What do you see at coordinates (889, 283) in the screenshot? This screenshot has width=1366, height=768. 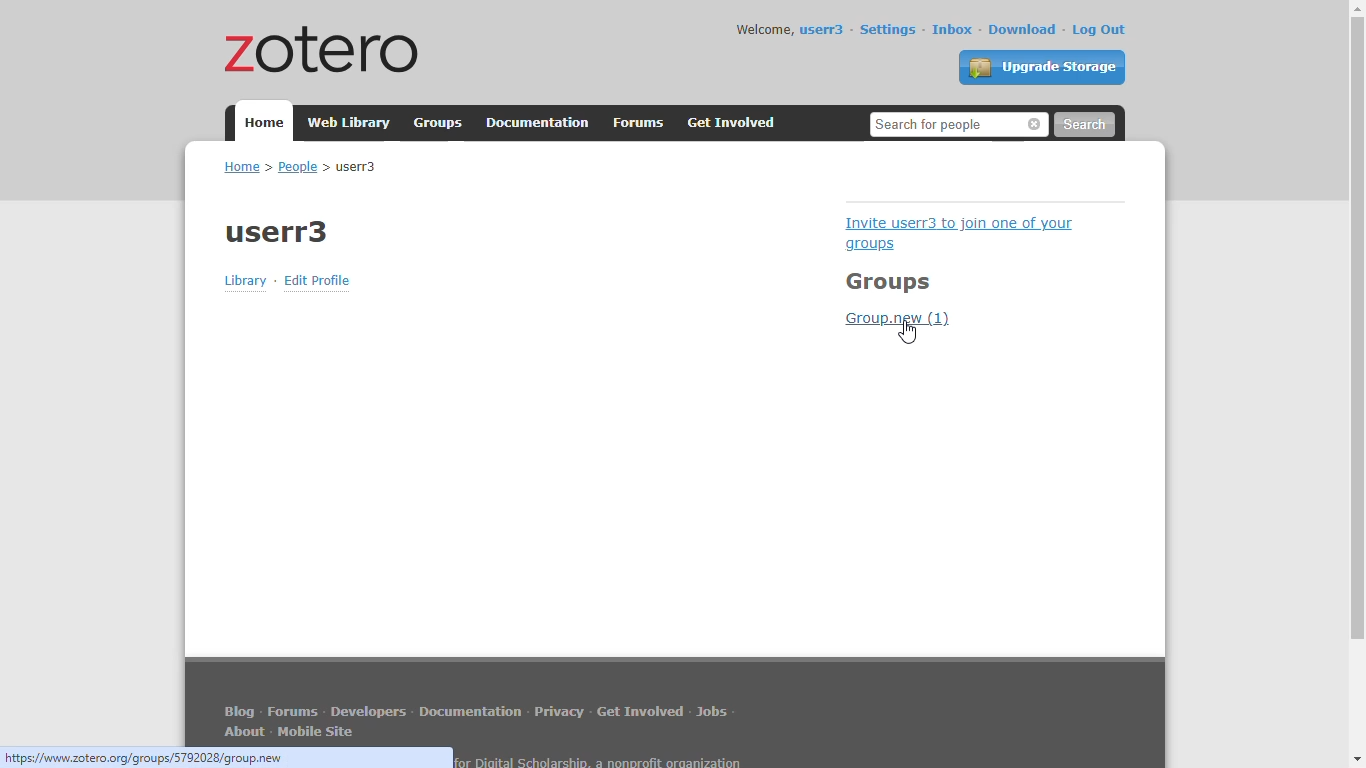 I see `groups` at bounding box center [889, 283].